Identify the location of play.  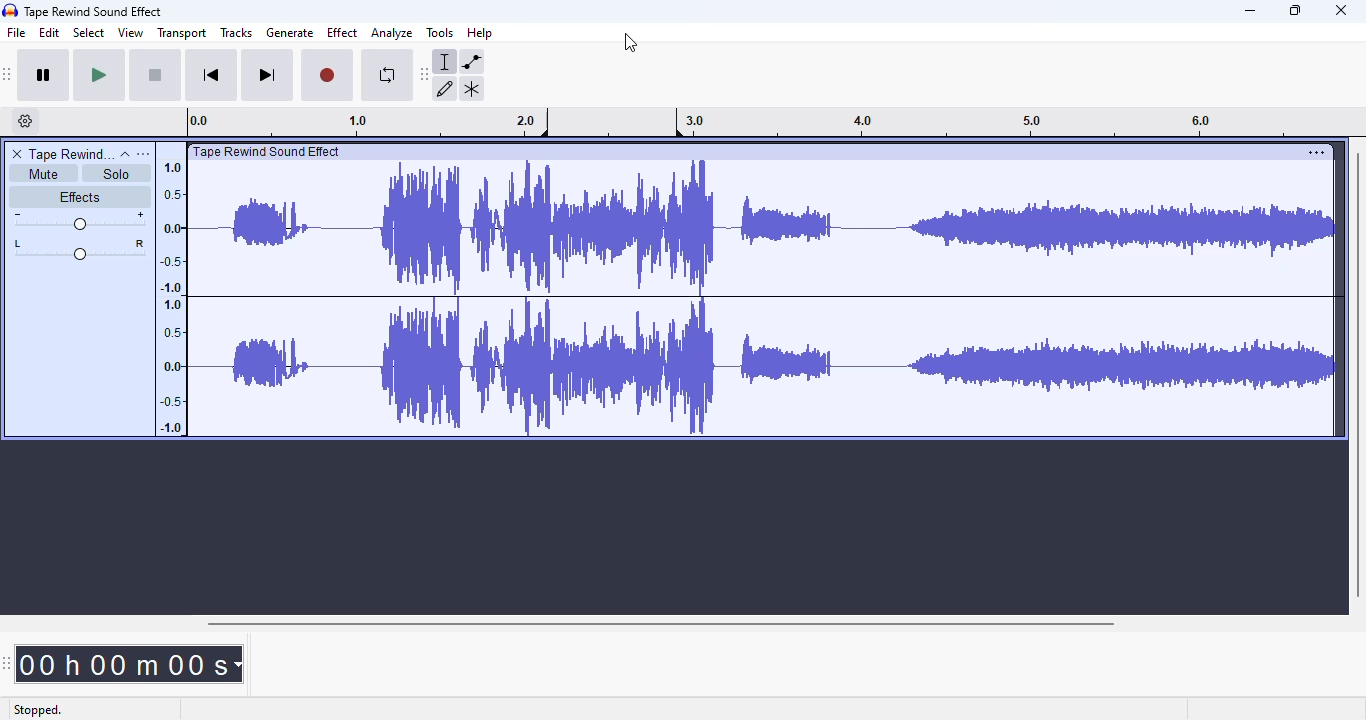
(101, 74).